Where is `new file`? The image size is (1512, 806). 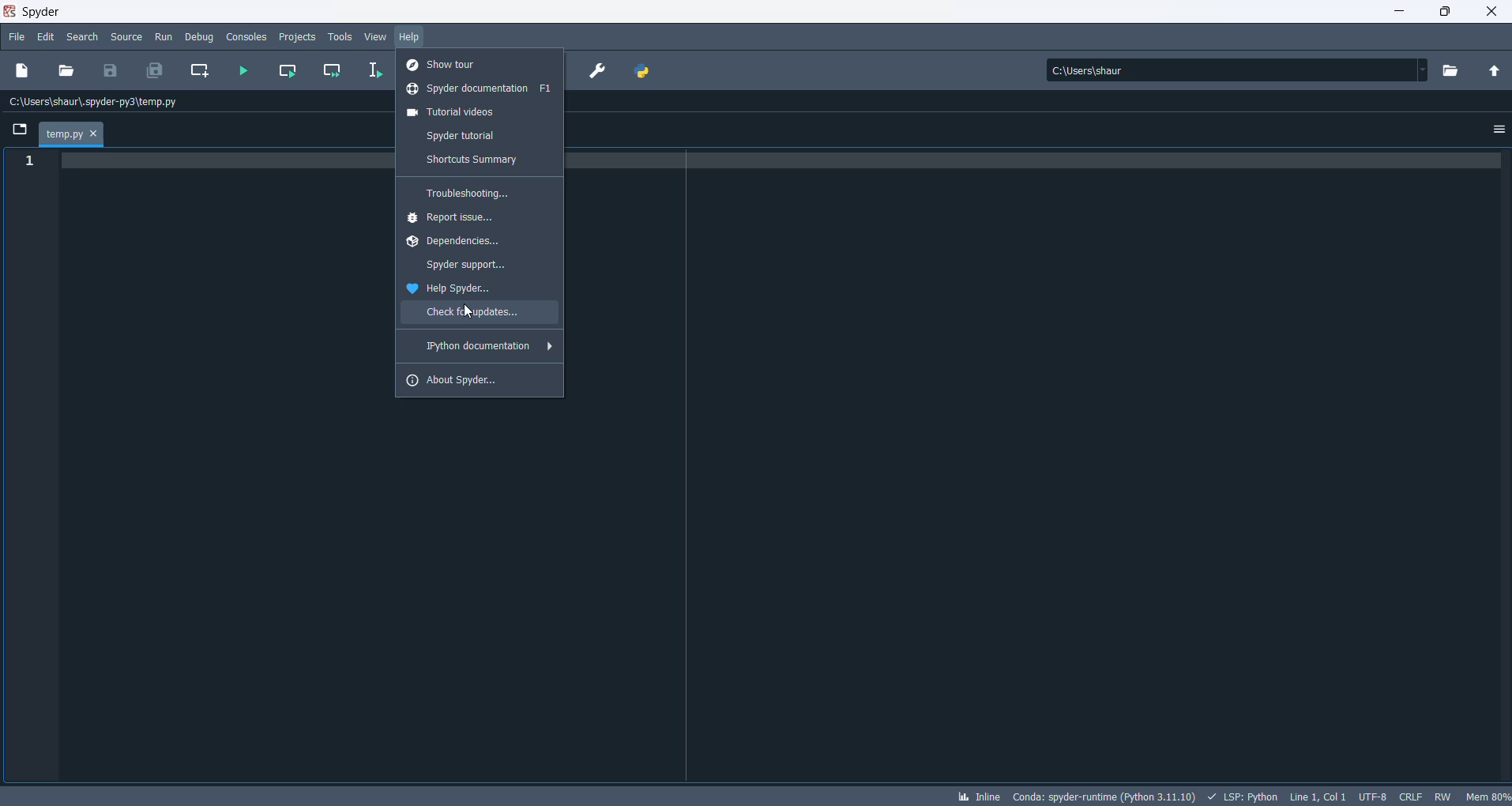 new file is located at coordinates (28, 70).